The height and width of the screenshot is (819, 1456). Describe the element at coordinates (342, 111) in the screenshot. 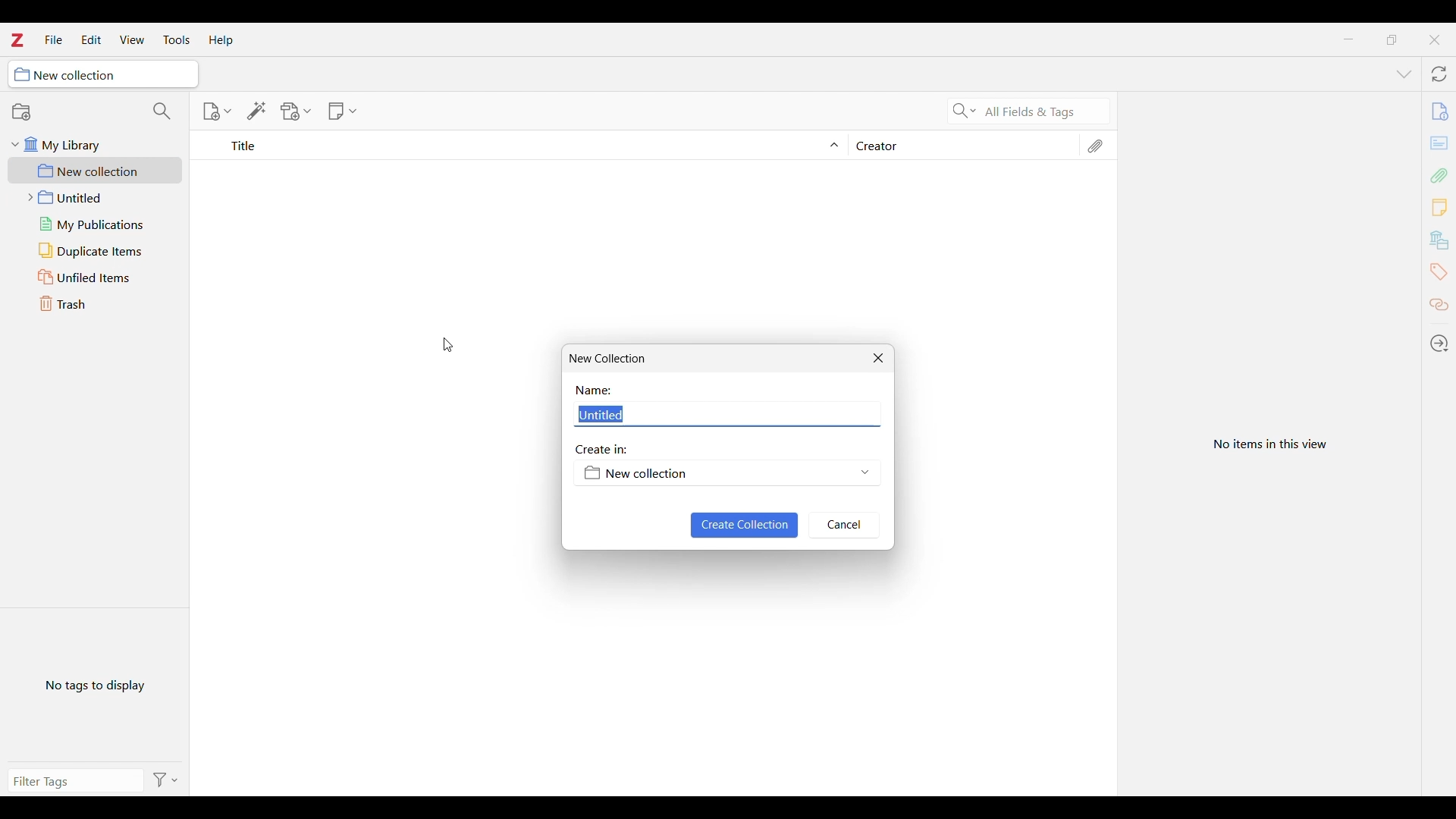

I see `New note options` at that location.